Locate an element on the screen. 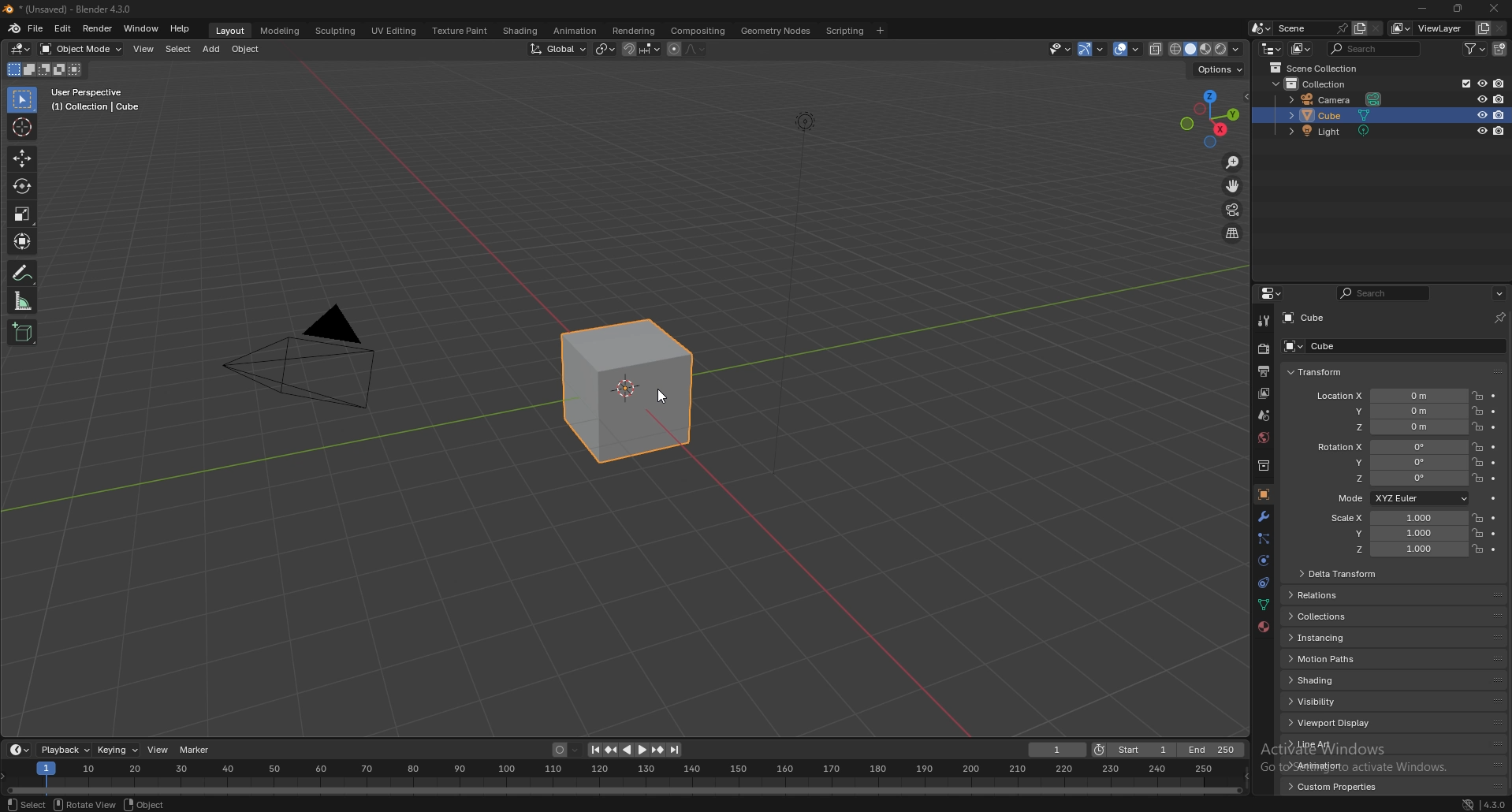 The height and width of the screenshot is (812, 1512). end is located at coordinates (1210, 750).